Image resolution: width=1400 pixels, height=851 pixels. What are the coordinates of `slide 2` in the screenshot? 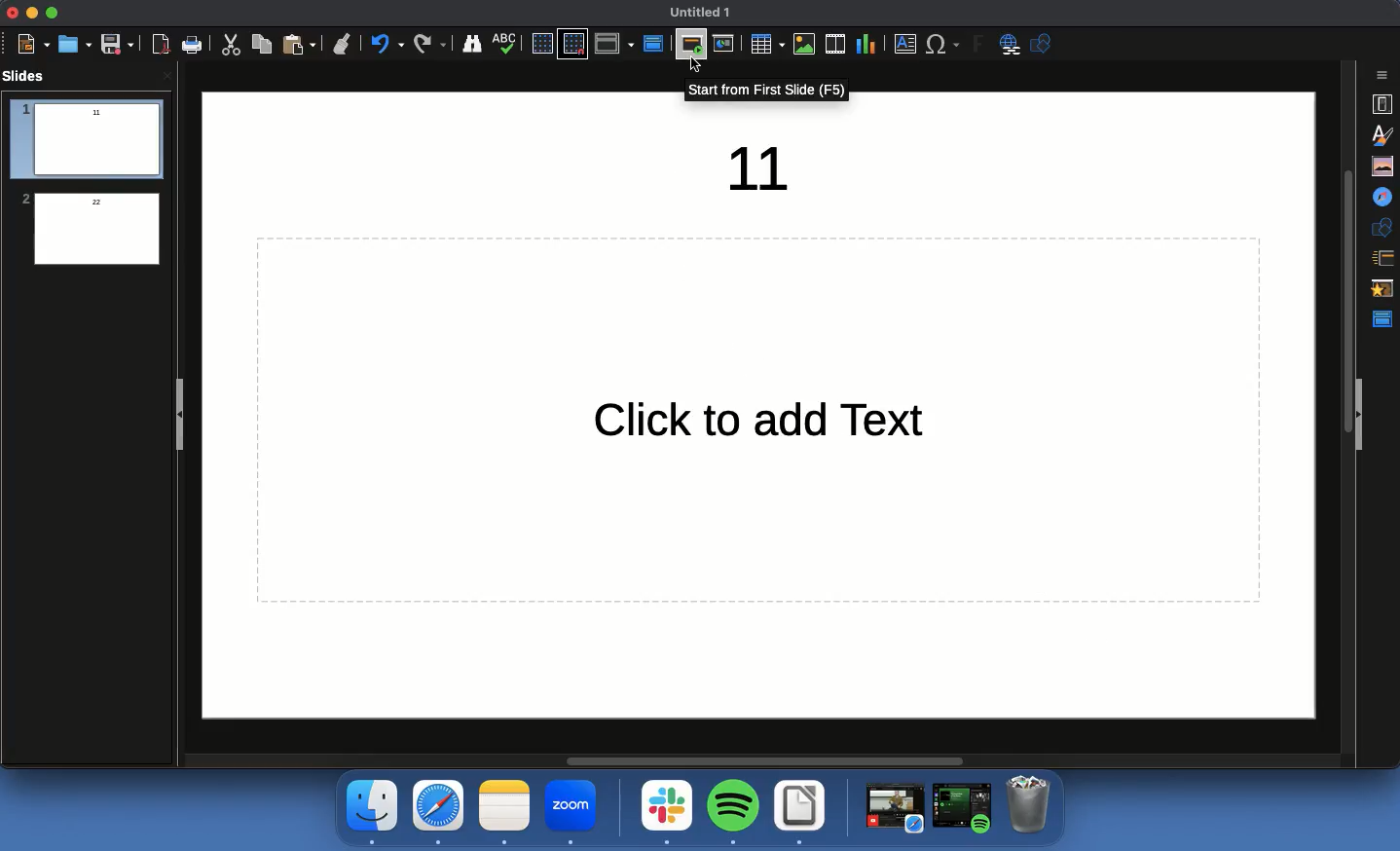 It's located at (86, 229).